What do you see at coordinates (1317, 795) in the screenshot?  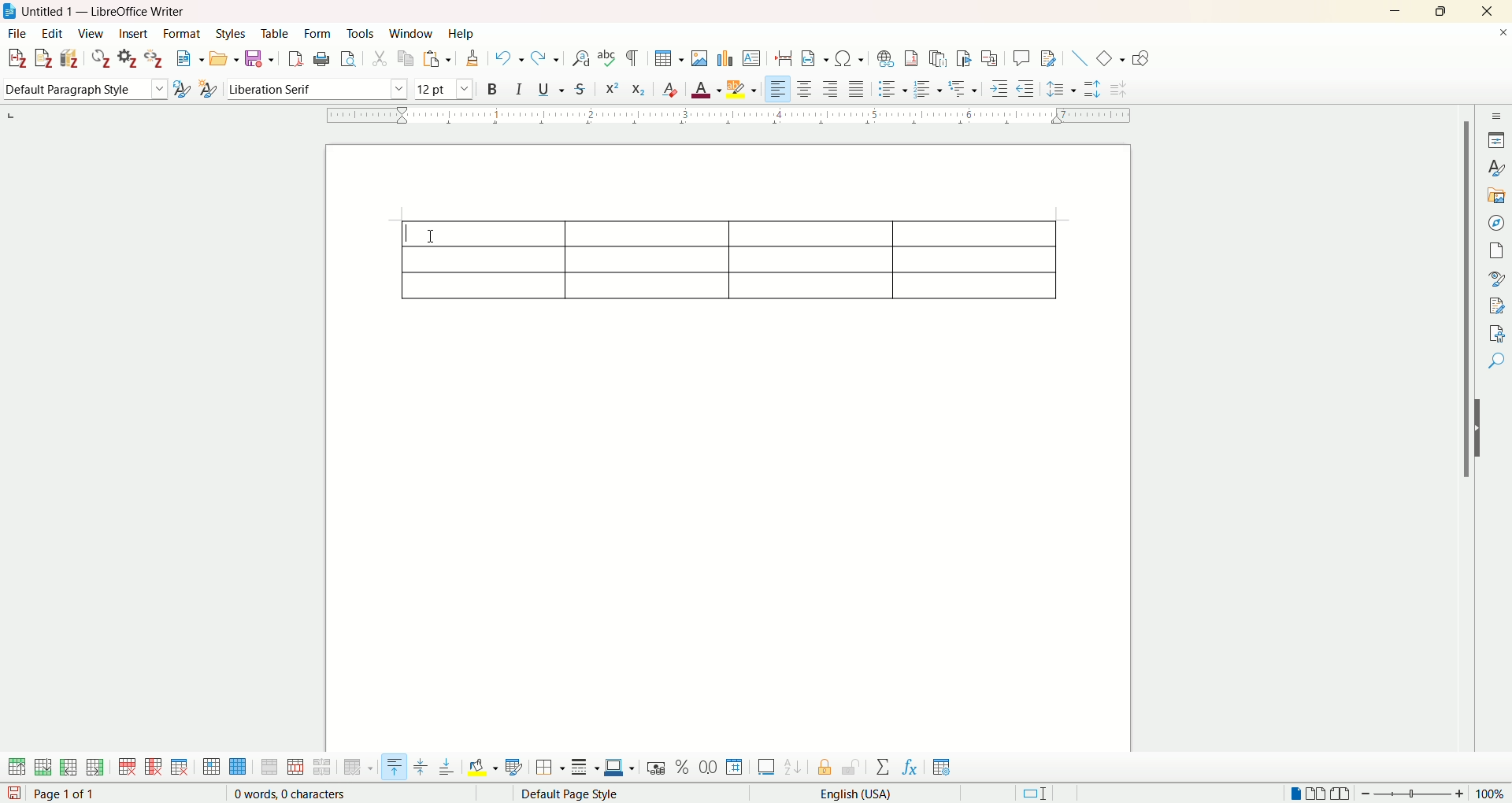 I see `multiple page view` at bounding box center [1317, 795].